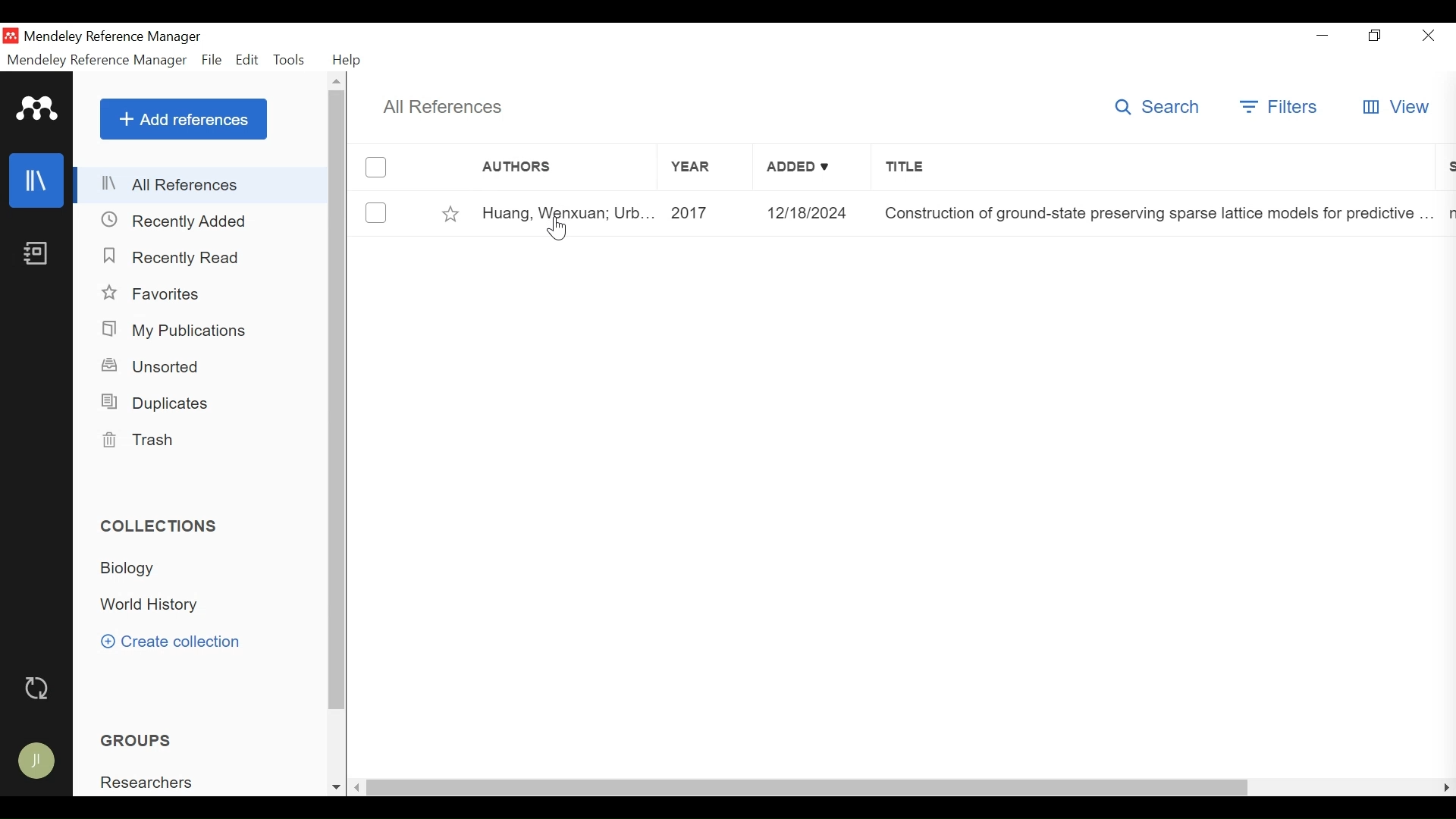  I want to click on Trash, so click(146, 441).